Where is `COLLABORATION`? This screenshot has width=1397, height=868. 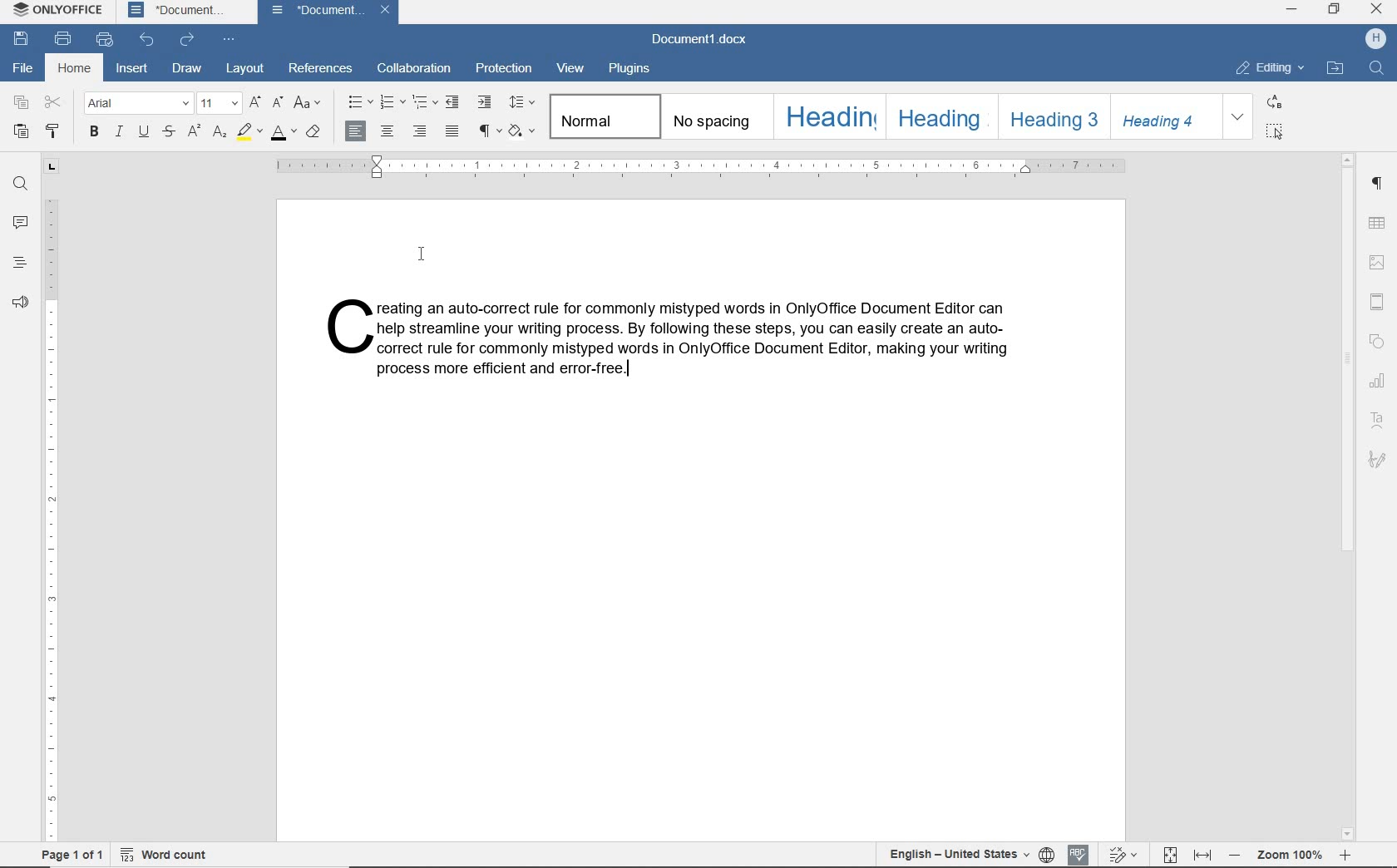 COLLABORATION is located at coordinates (413, 67).